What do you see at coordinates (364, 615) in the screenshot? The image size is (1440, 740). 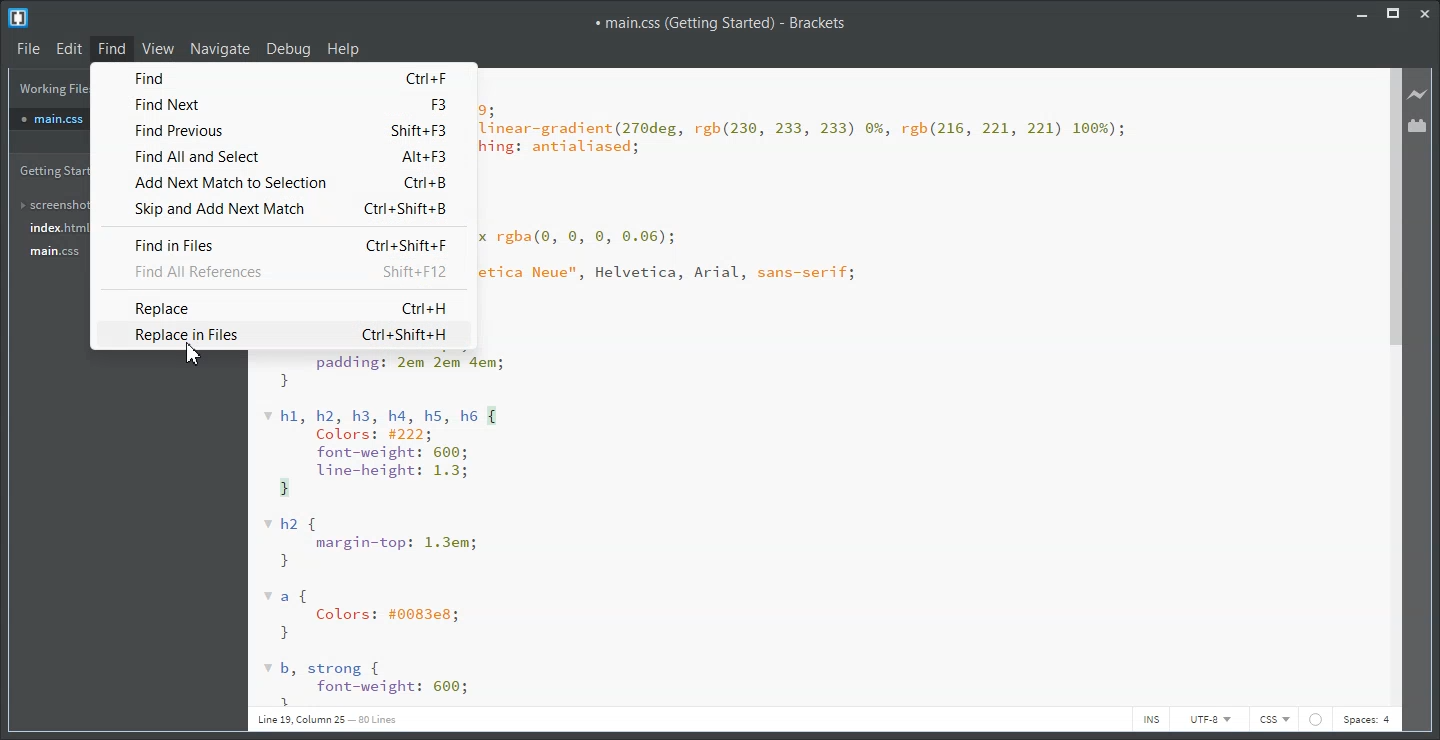 I see `a{
Colors: #00838;
}` at bounding box center [364, 615].